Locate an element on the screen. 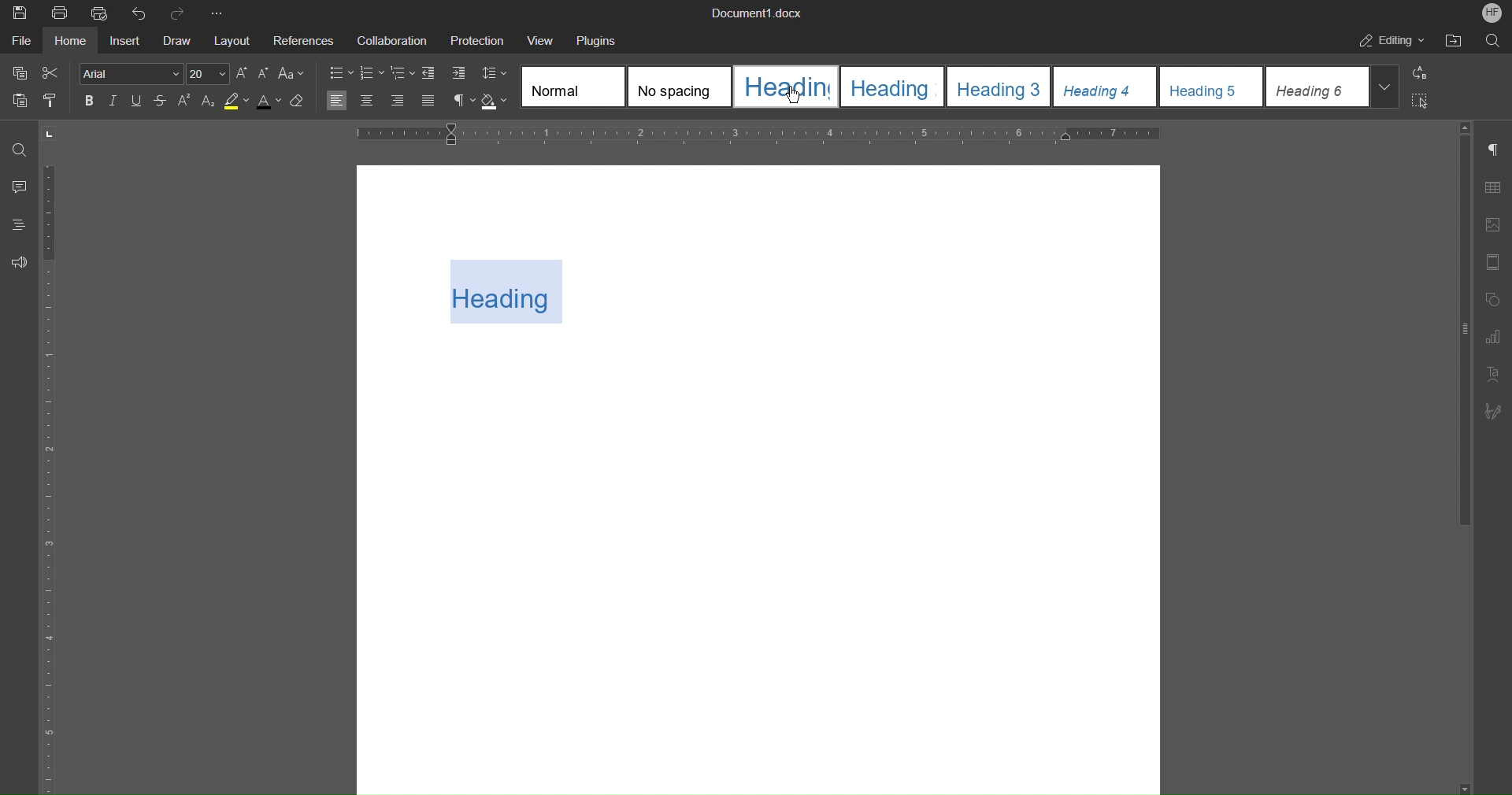 The image size is (1512, 795). Find is located at coordinates (17, 150).